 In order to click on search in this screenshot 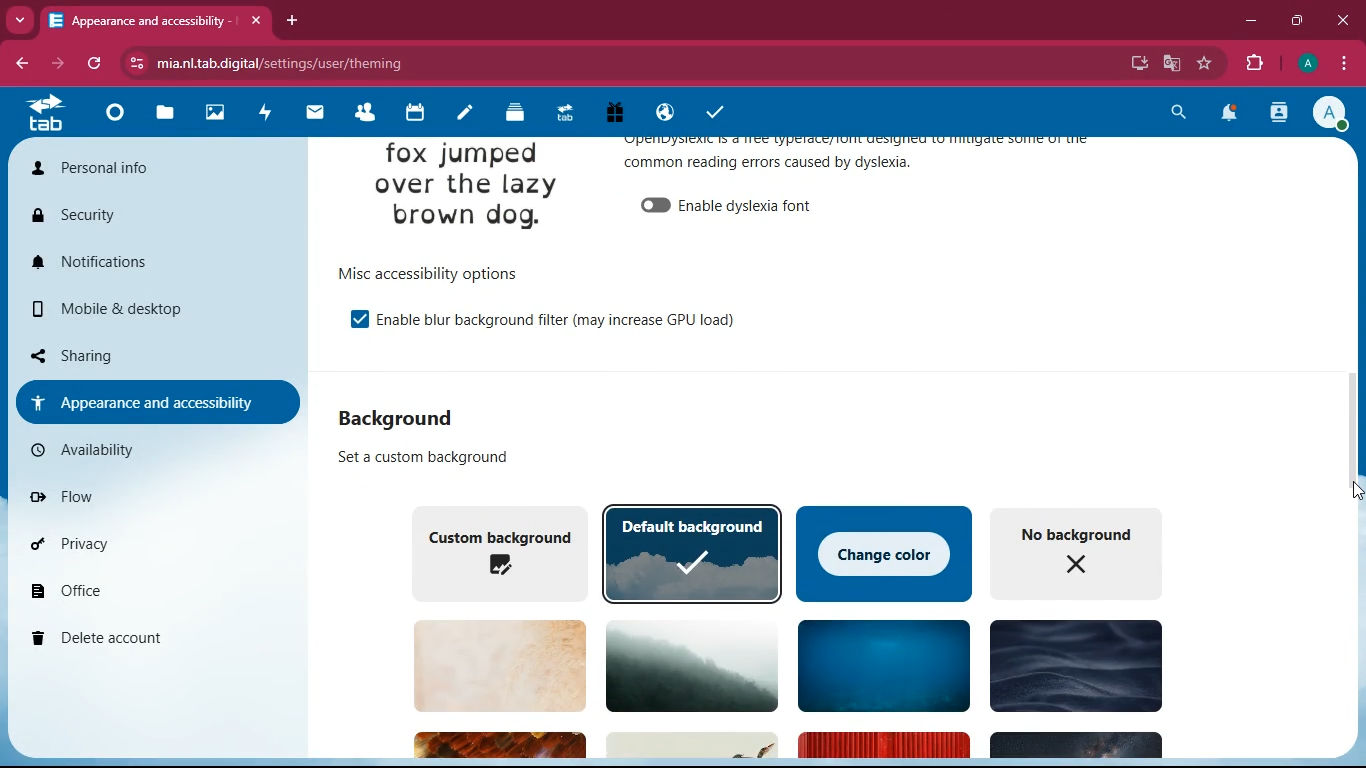, I will do `click(1176, 115)`.